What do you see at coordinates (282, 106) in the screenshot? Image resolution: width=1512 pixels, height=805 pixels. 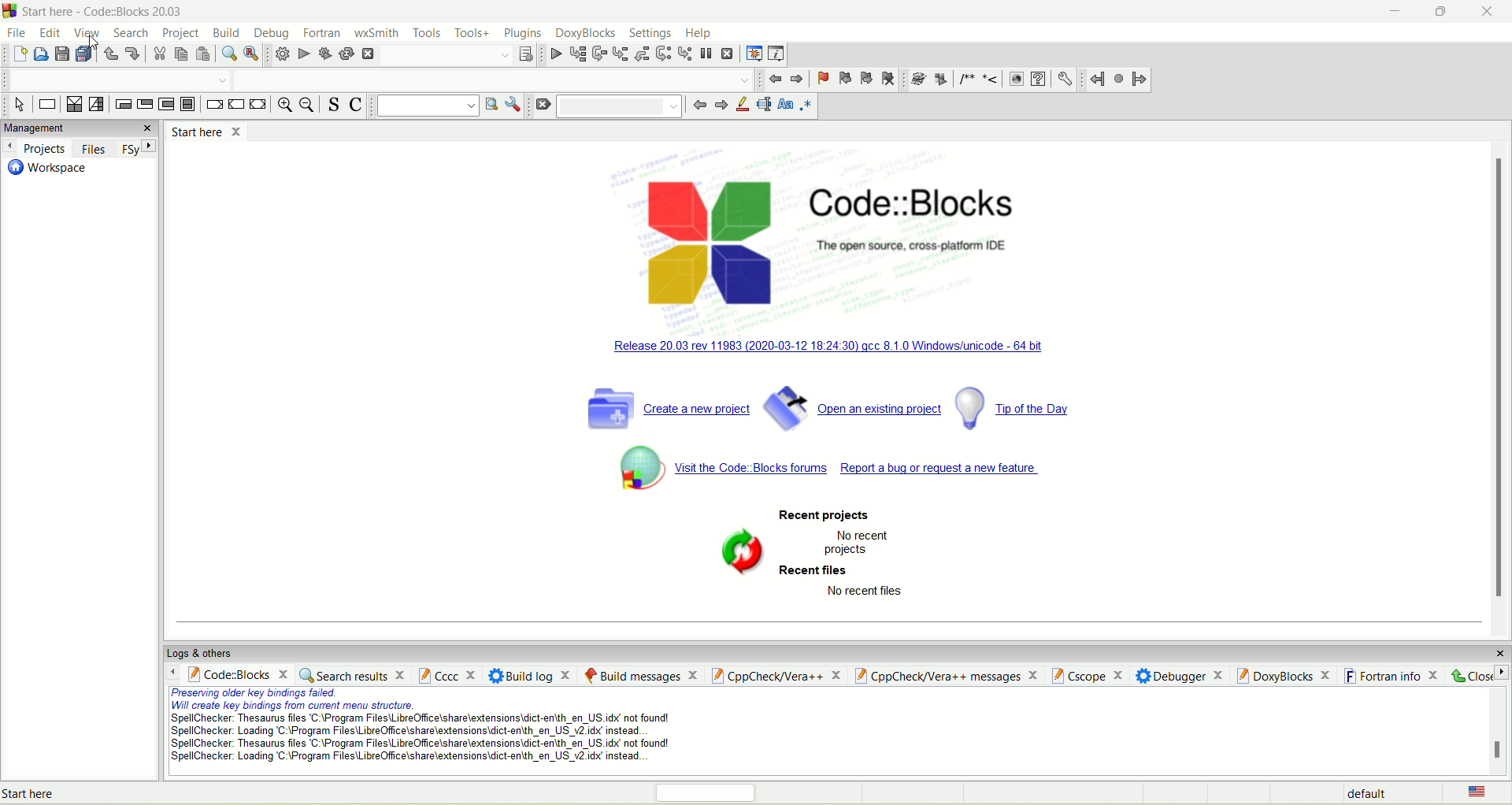 I see `zoom in` at bounding box center [282, 106].